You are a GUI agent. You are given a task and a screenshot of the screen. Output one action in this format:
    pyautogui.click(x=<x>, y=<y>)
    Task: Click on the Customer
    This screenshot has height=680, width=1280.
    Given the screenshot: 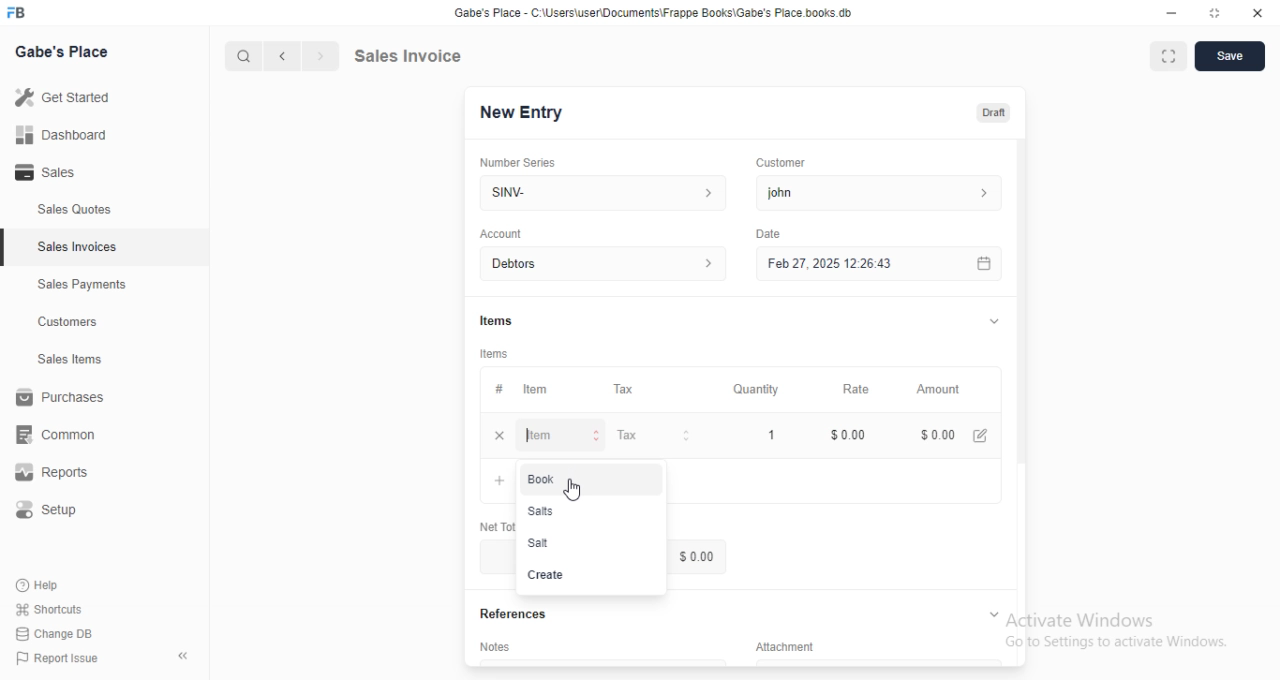 What is the action you would take?
    pyautogui.click(x=784, y=163)
    